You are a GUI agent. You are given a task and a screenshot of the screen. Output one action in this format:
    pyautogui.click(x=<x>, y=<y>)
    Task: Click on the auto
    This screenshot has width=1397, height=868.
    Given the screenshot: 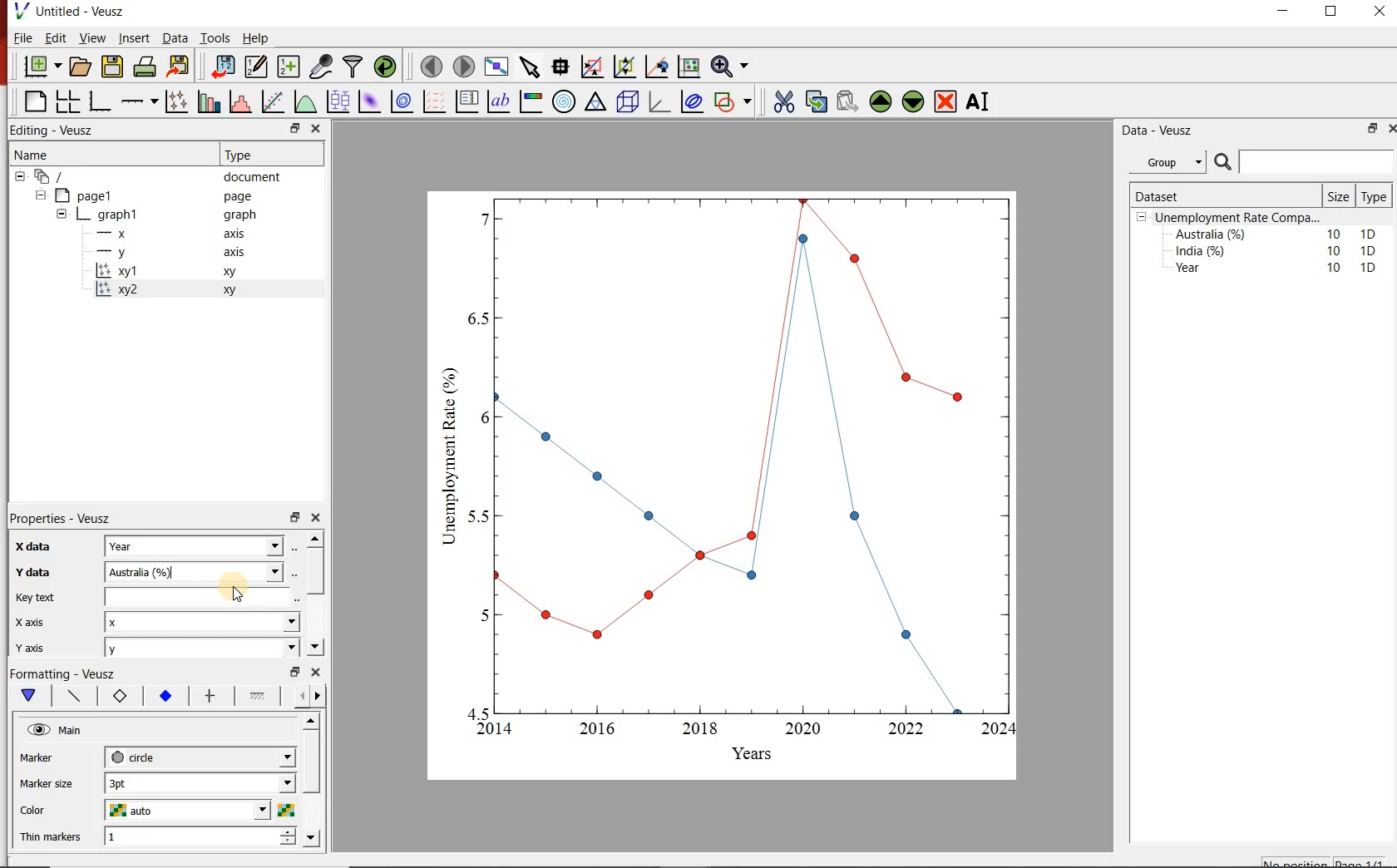 What is the action you would take?
    pyautogui.click(x=190, y=811)
    